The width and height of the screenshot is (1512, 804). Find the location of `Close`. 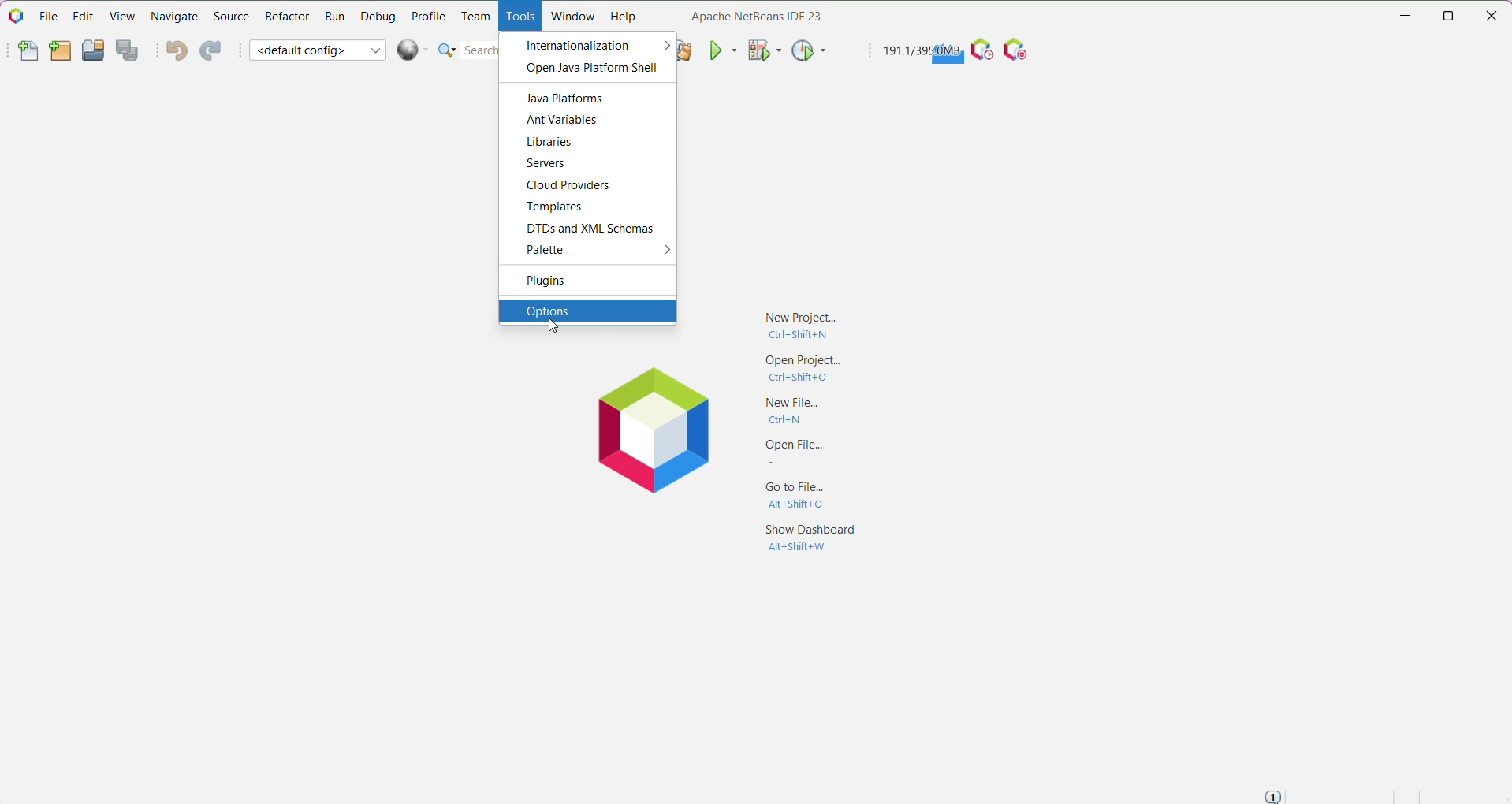

Close is located at coordinates (1495, 17).